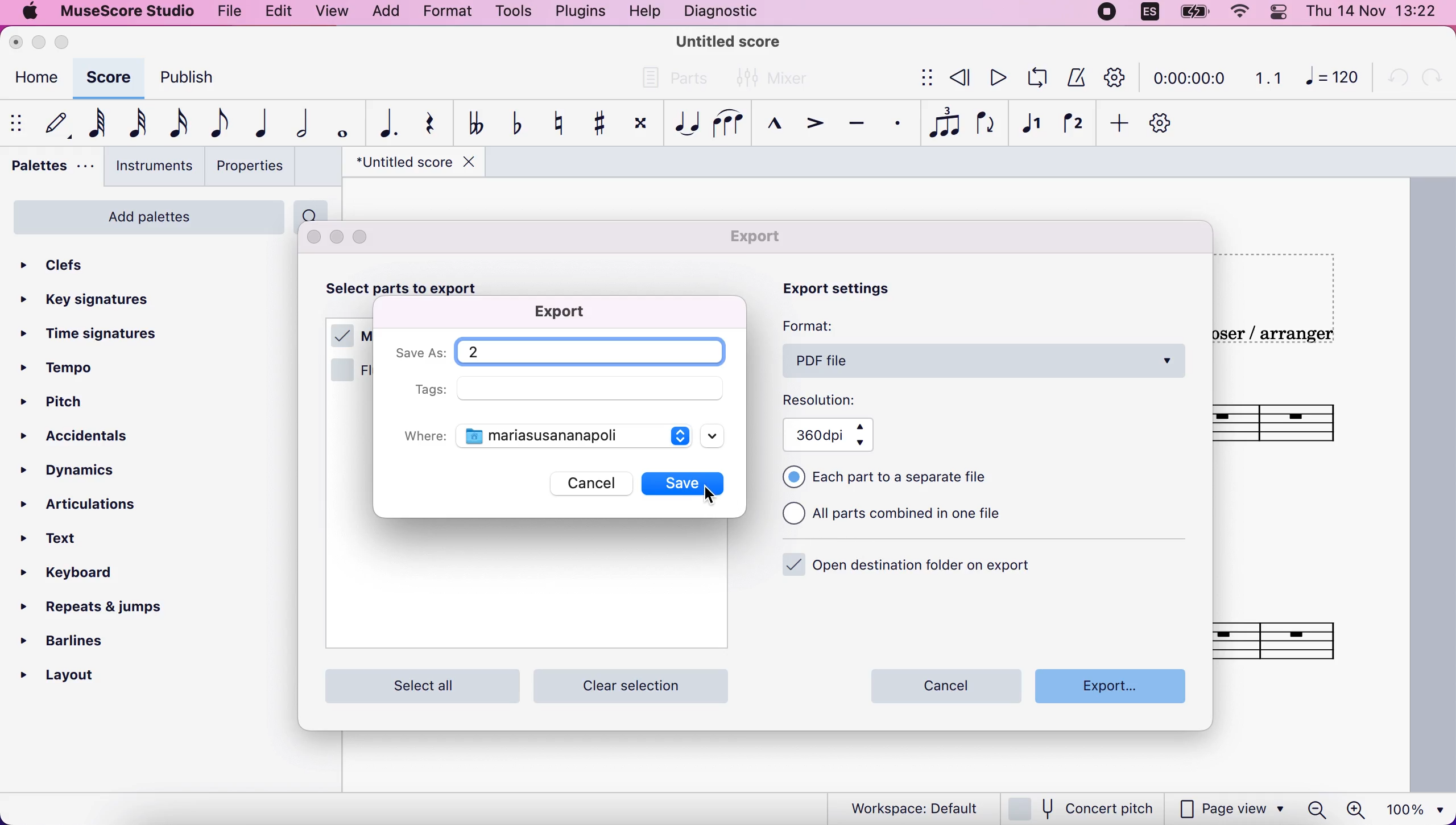 This screenshot has height=825, width=1456. Describe the element at coordinates (429, 385) in the screenshot. I see `tags` at that location.